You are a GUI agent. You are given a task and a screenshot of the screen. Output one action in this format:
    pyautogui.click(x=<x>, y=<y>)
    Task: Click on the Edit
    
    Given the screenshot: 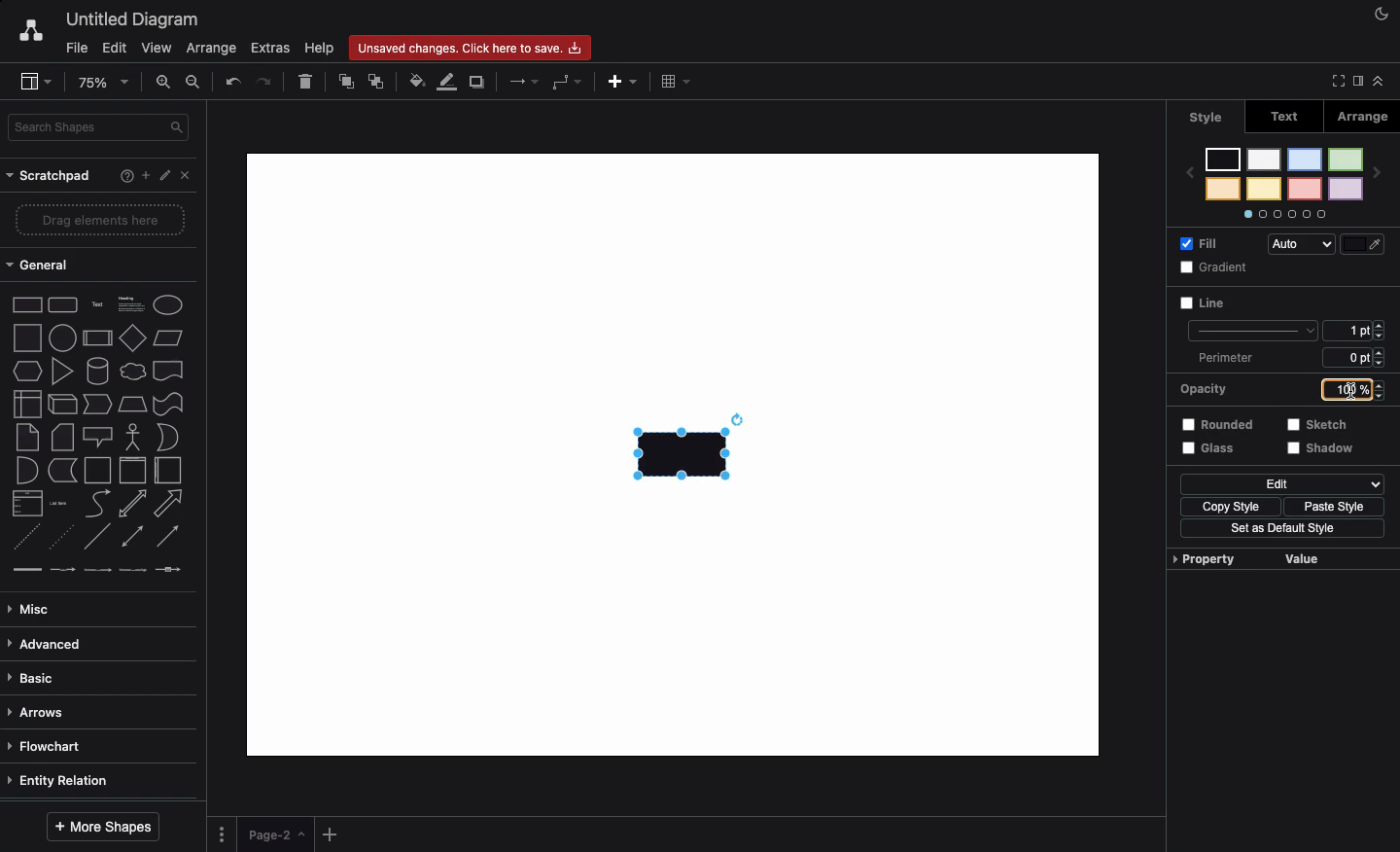 What is the action you would take?
    pyautogui.click(x=1284, y=482)
    